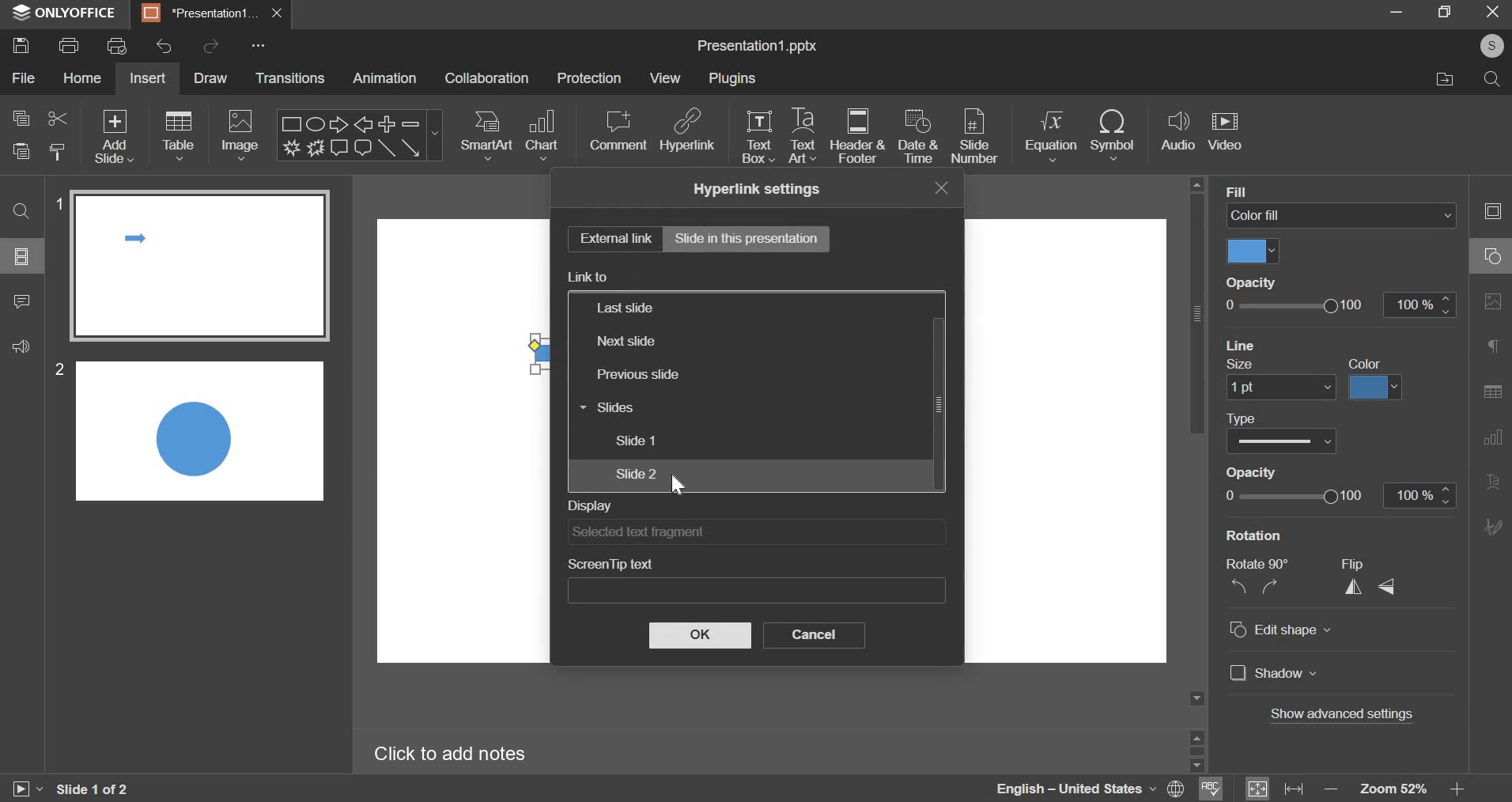 This screenshot has height=802, width=1512. I want to click on slide 1, so click(637, 439).